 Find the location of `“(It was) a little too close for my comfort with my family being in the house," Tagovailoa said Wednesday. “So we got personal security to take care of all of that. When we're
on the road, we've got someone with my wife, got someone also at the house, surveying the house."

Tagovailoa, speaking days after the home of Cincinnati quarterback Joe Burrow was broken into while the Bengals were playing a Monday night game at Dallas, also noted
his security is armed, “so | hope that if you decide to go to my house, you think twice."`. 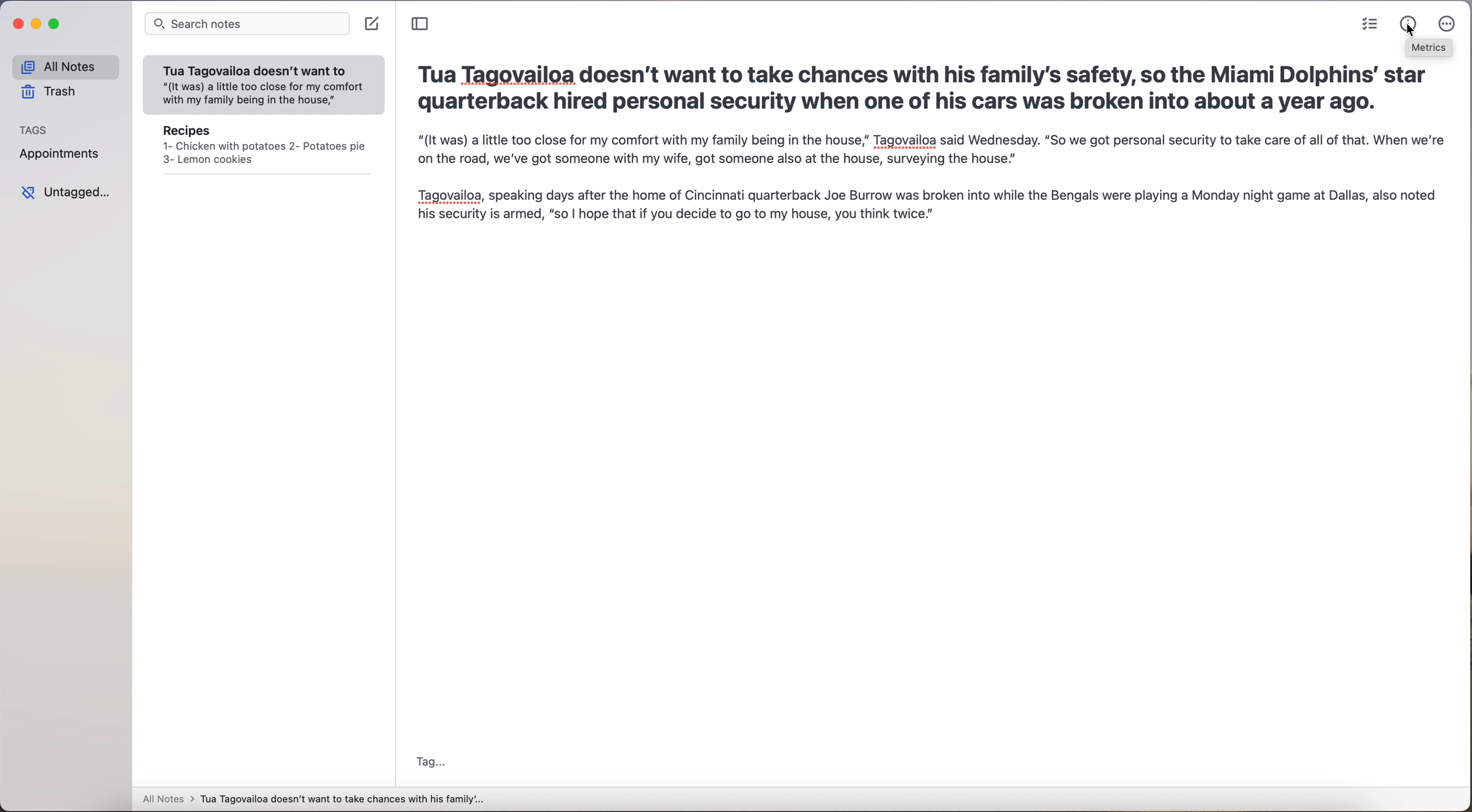

“(It was) a little too close for my comfort with my family being in the house," Tagovailoa said Wednesday. “So we got personal security to take care of all of that. When we're
on the road, we've got someone with my wife, got someone also at the house, surveying the house."

Tagovailoa, speaking days after the home of Cincinnati quarterback Joe Burrow was broken into while the Bengals were playing a Monday night game at Dallas, also noted
his security is armed, “so | hope that if you decide to go to my house, you think twice." is located at coordinates (933, 191).